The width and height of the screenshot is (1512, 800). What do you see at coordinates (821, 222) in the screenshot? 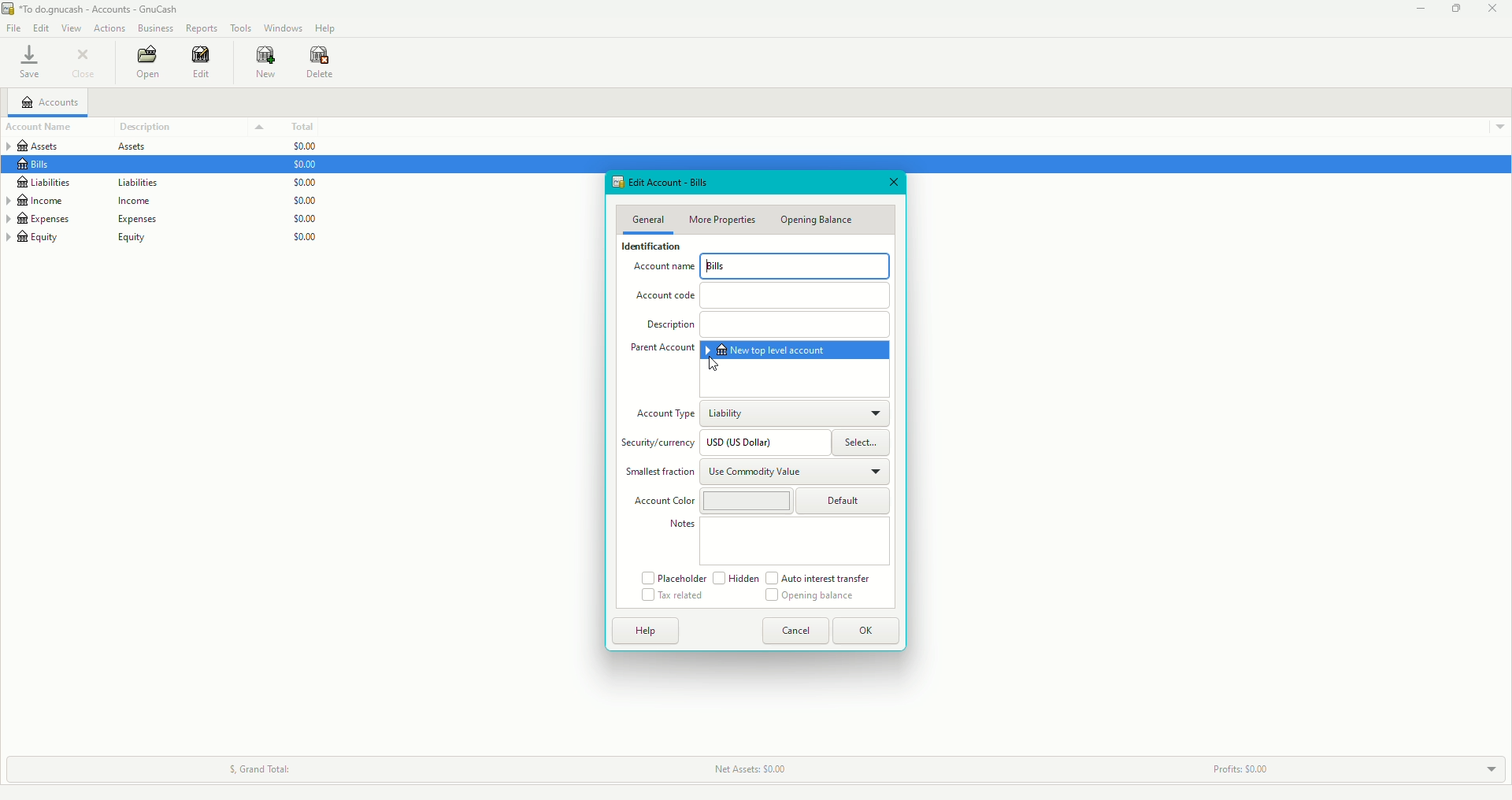
I see `Opening Balance` at bounding box center [821, 222].